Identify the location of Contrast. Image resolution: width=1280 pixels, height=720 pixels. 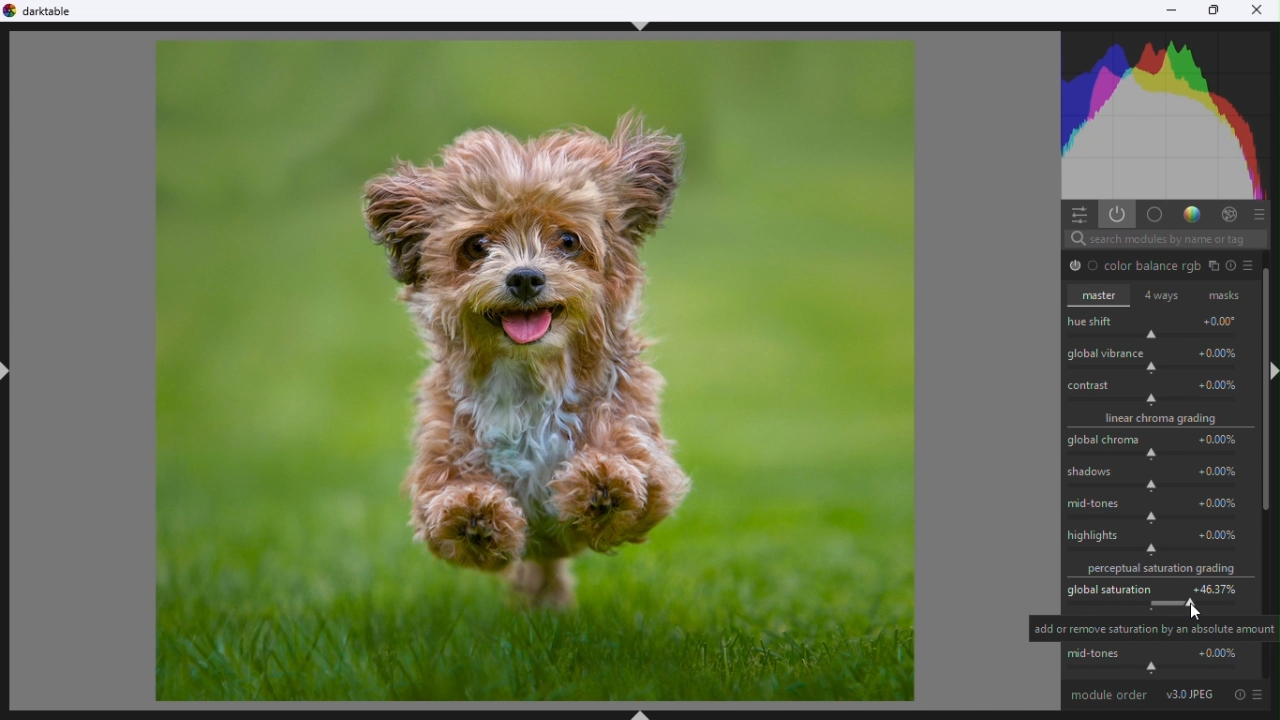
(1160, 393).